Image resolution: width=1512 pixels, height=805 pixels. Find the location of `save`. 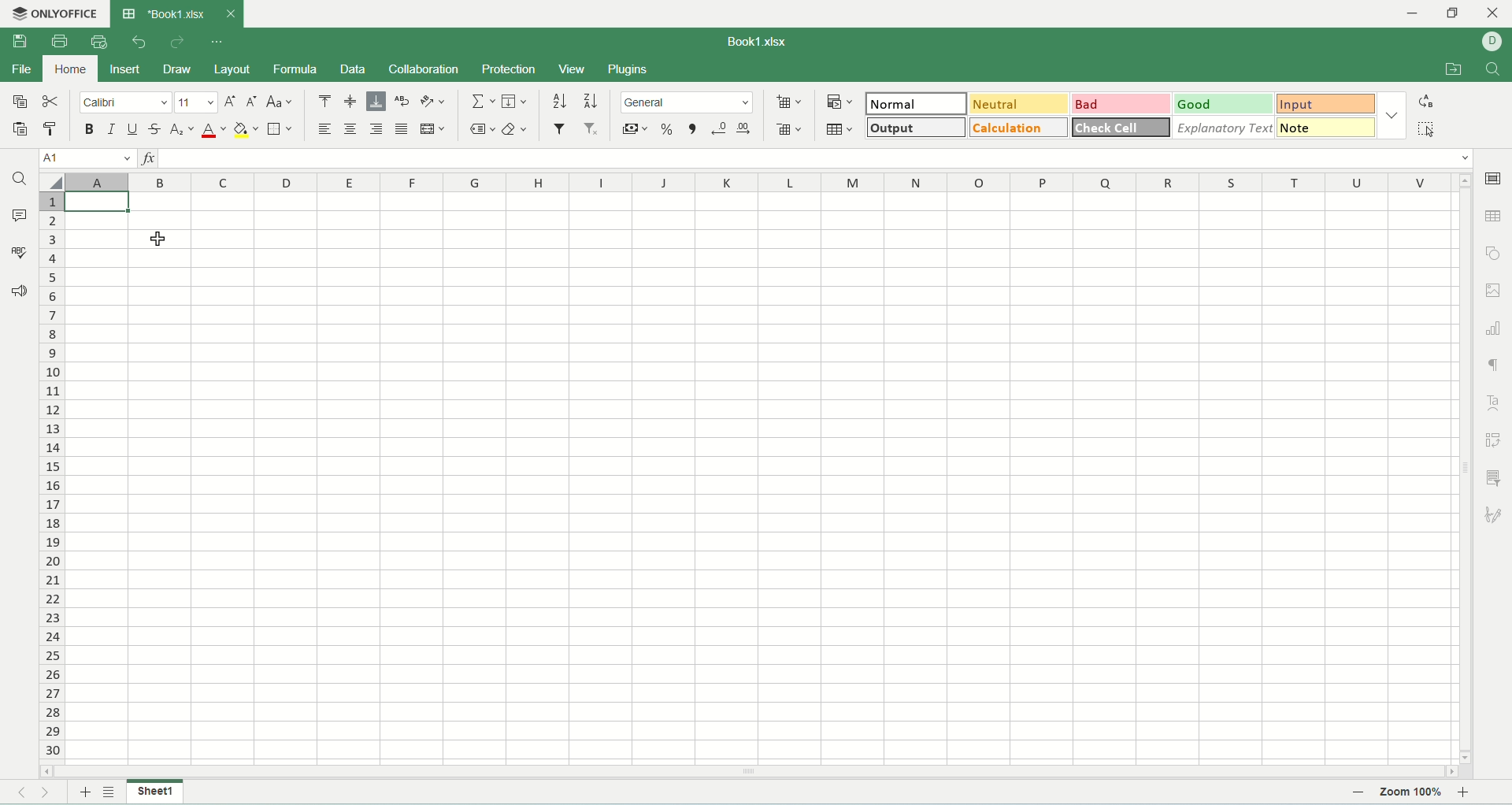

save is located at coordinates (19, 42).